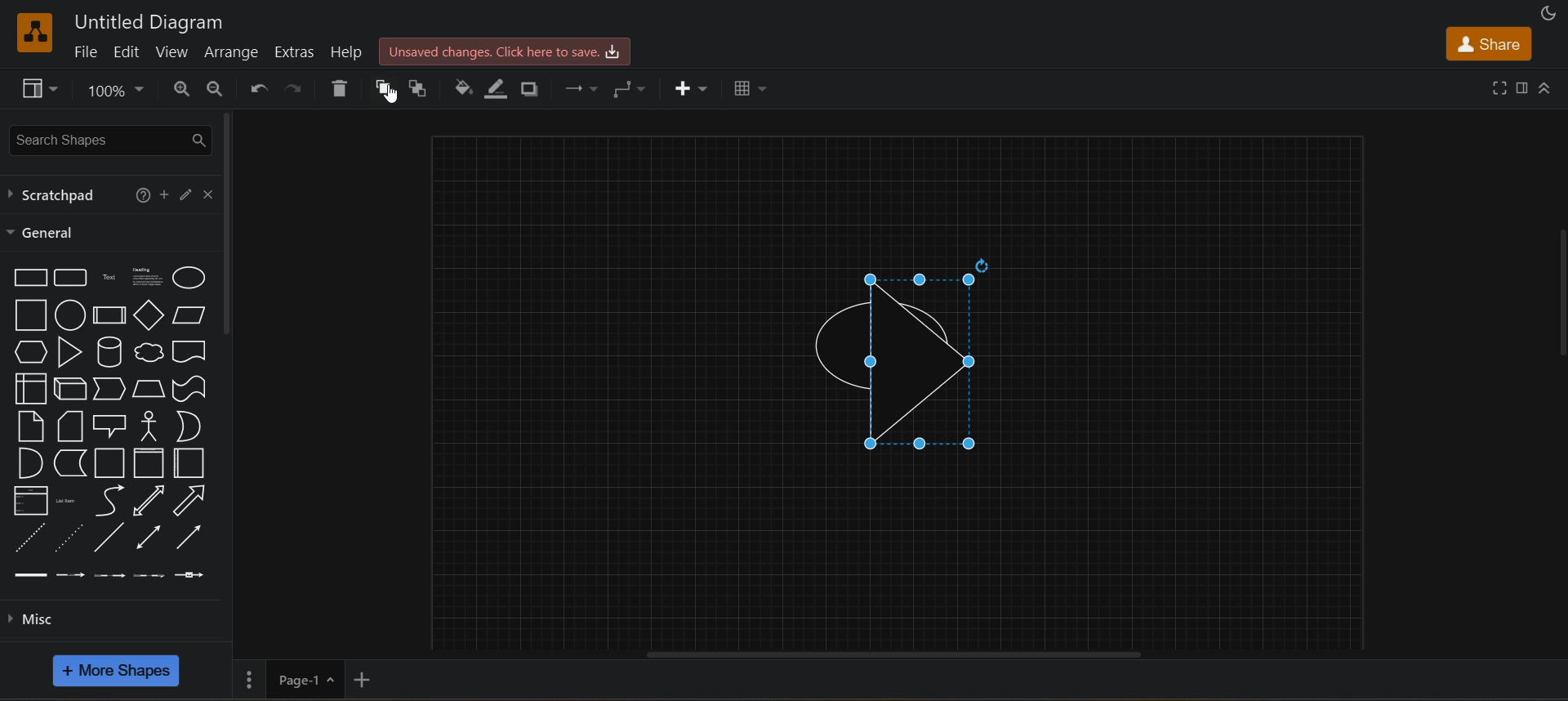 The image size is (1568, 701). Describe the element at coordinates (180, 87) in the screenshot. I see `zoom in` at that location.